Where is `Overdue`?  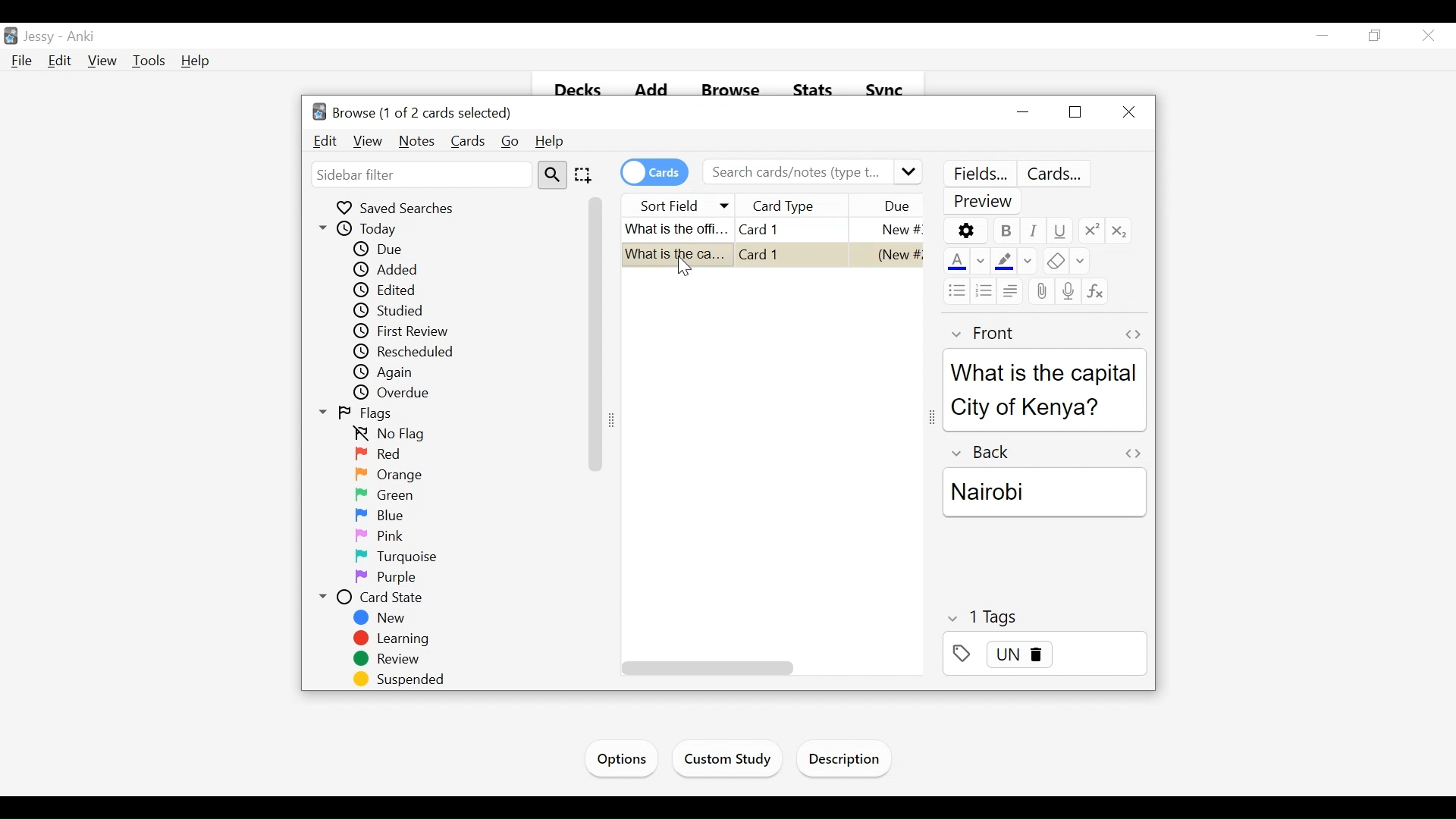 Overdue is located at coordinates (397, 393).